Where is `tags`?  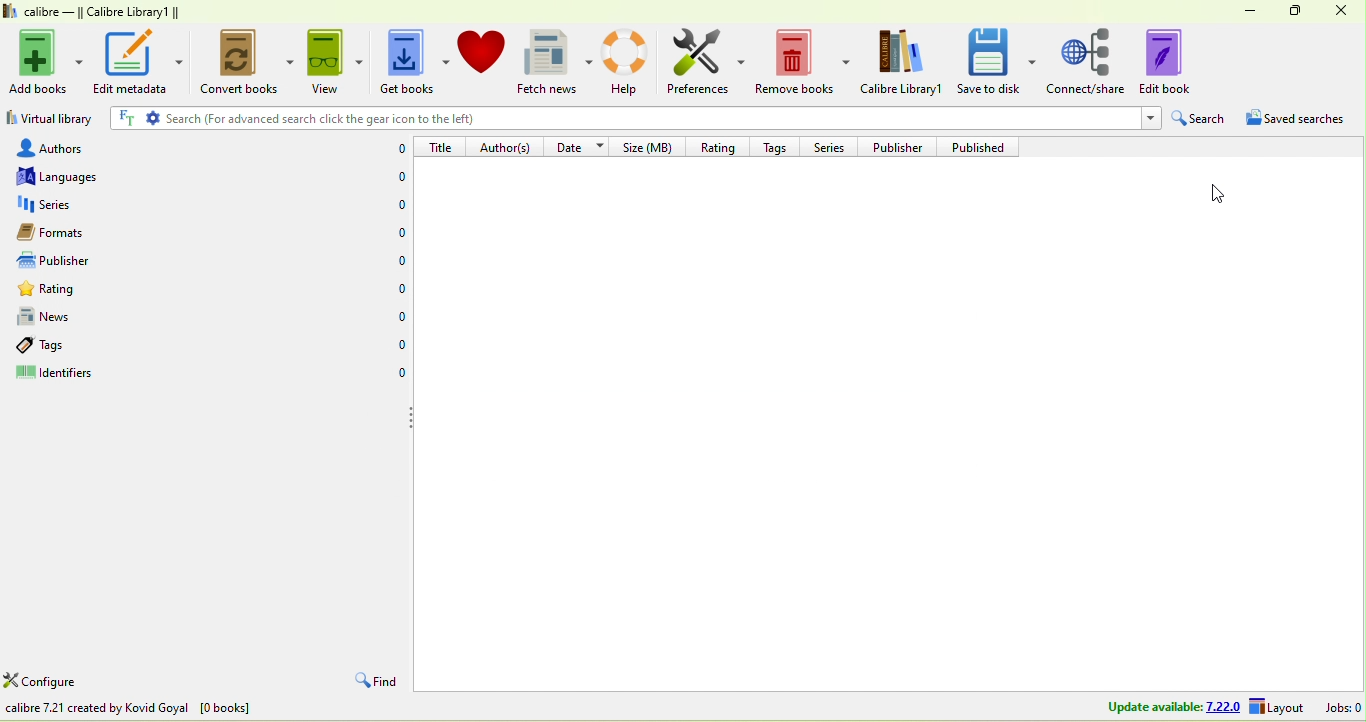 tags is located at coordinates (779, 145).